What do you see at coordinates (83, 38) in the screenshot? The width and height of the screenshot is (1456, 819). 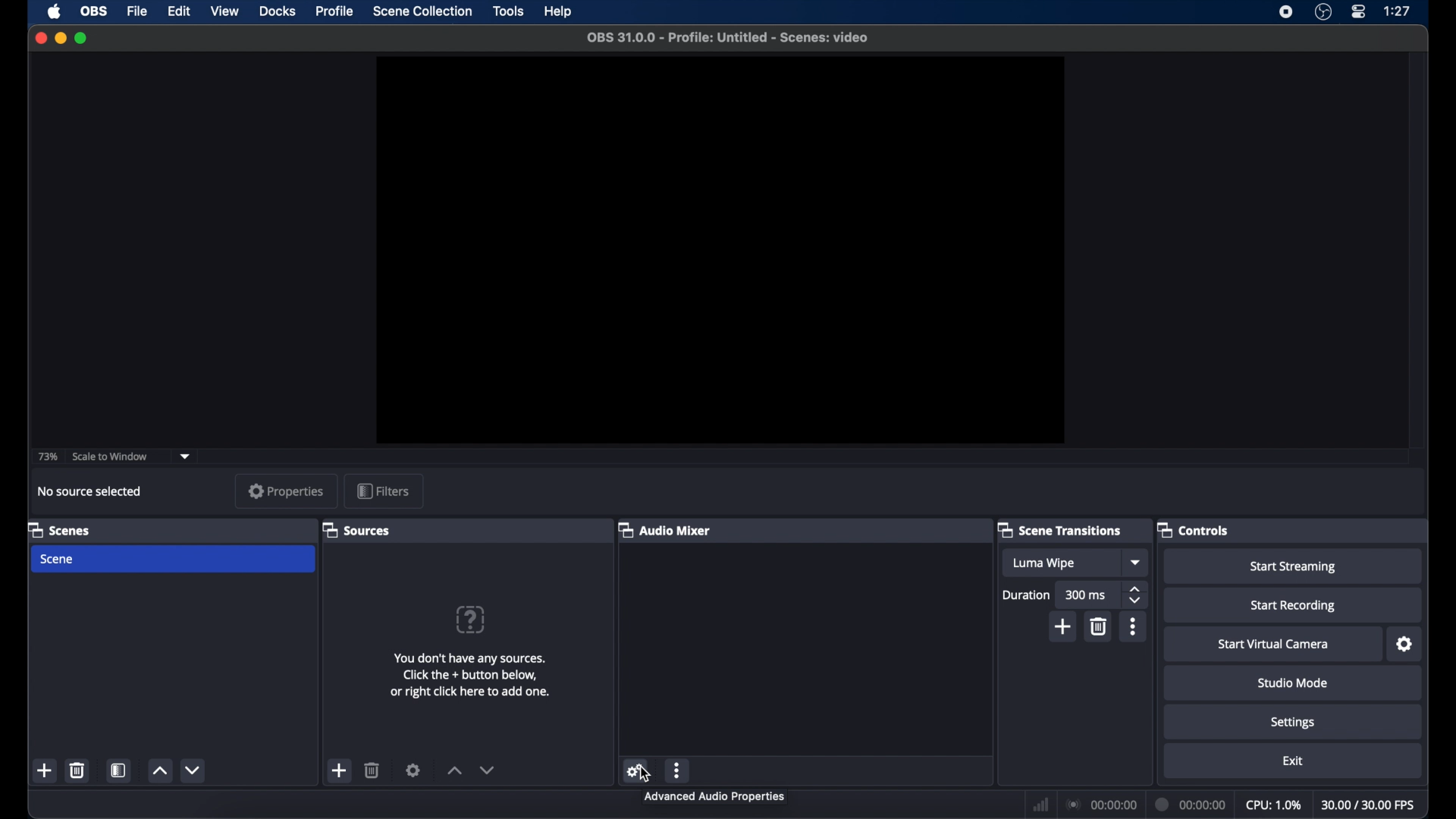 I see `maximize` at bounding box center [83, 38].